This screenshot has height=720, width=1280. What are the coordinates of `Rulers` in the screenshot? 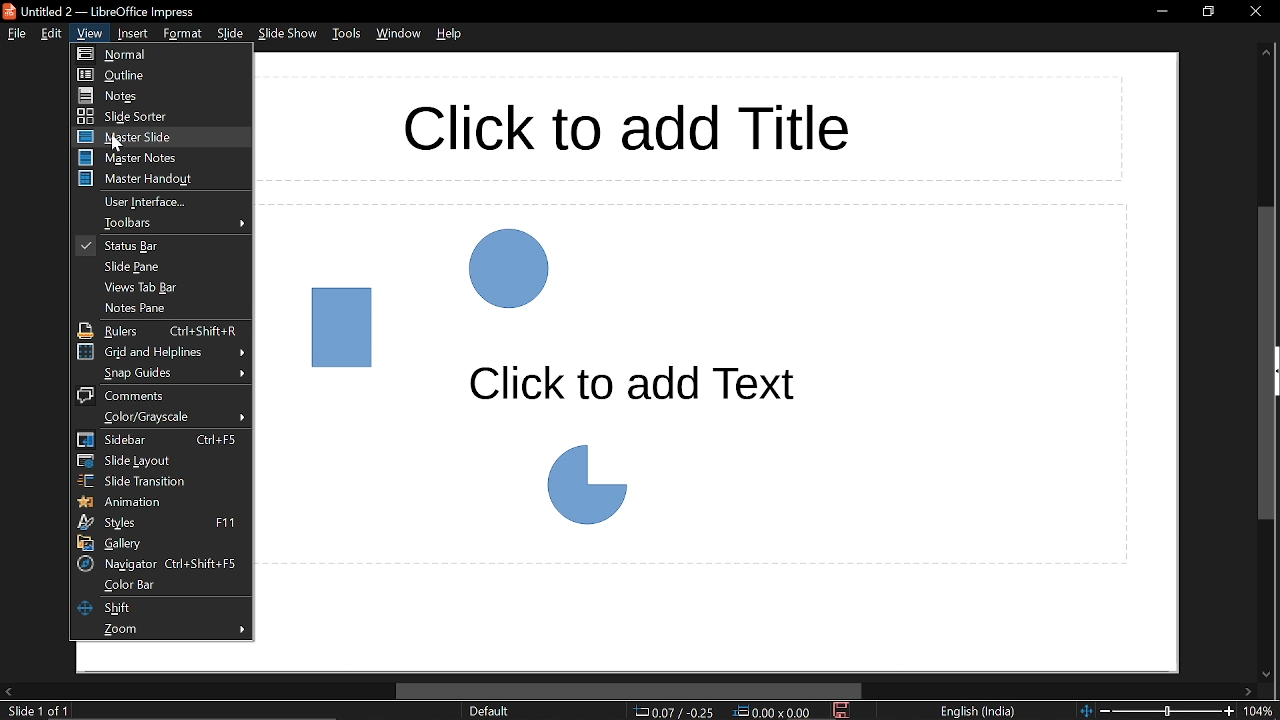 It's located at (160, 330).